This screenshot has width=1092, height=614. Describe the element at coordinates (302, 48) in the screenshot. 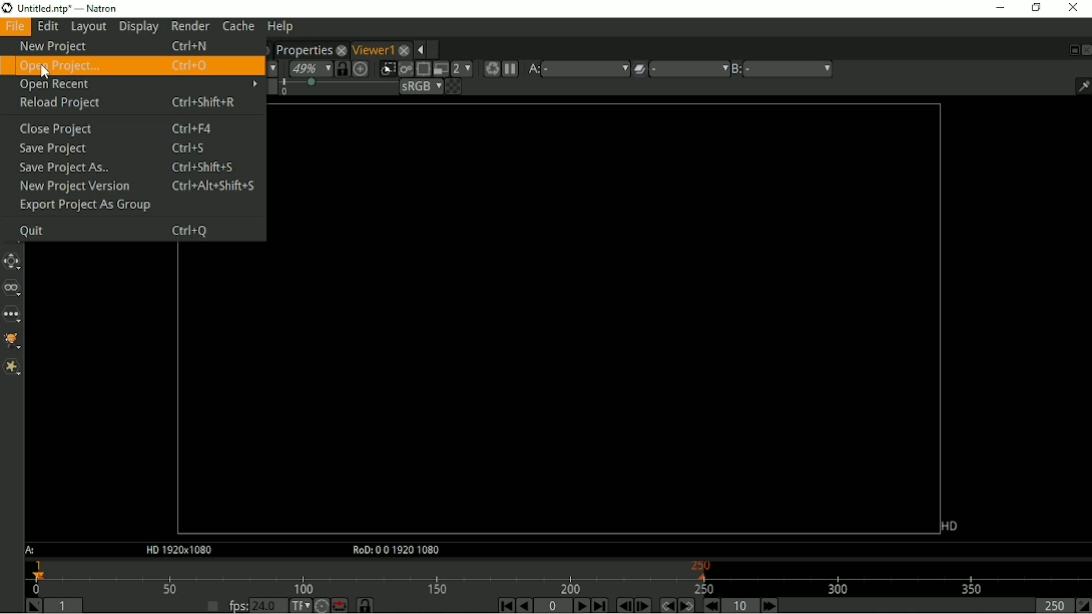

I see `Properties` at that location.